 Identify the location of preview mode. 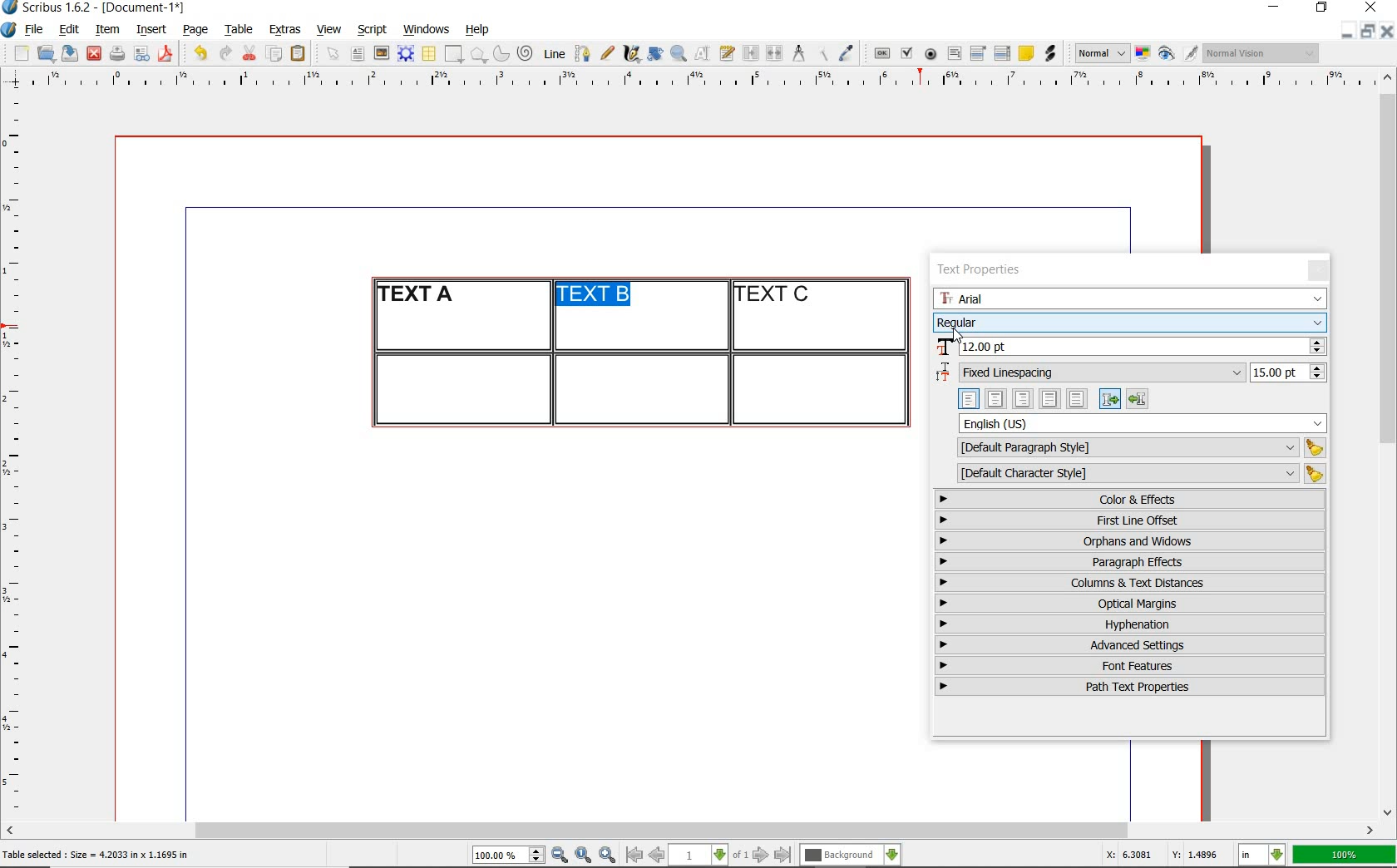
(1178, 54).